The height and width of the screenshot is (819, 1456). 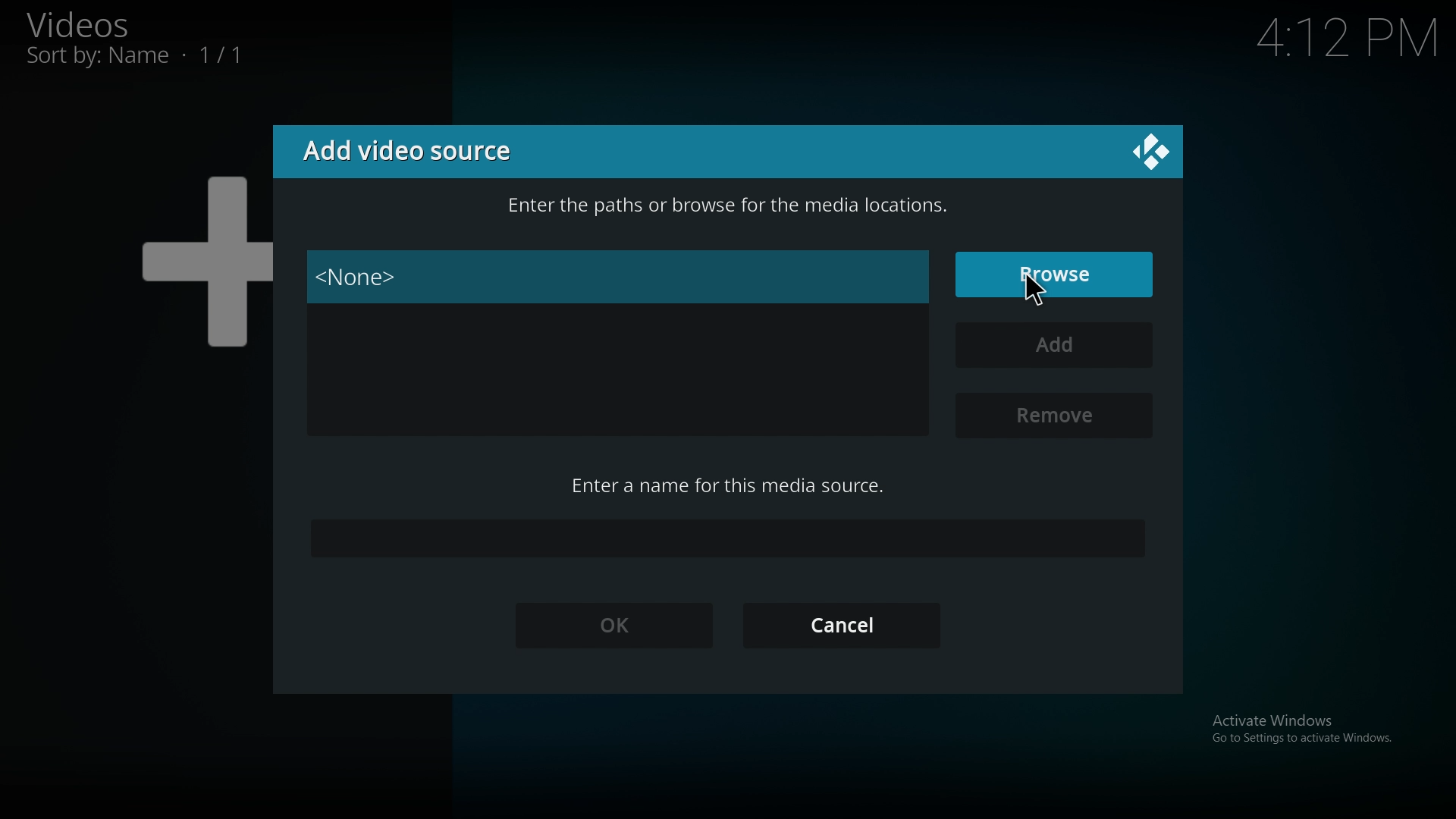 What do you see at coordinates (1052, 418) in the screenshot?
I see `remove` at bounding box center [1052, 418].